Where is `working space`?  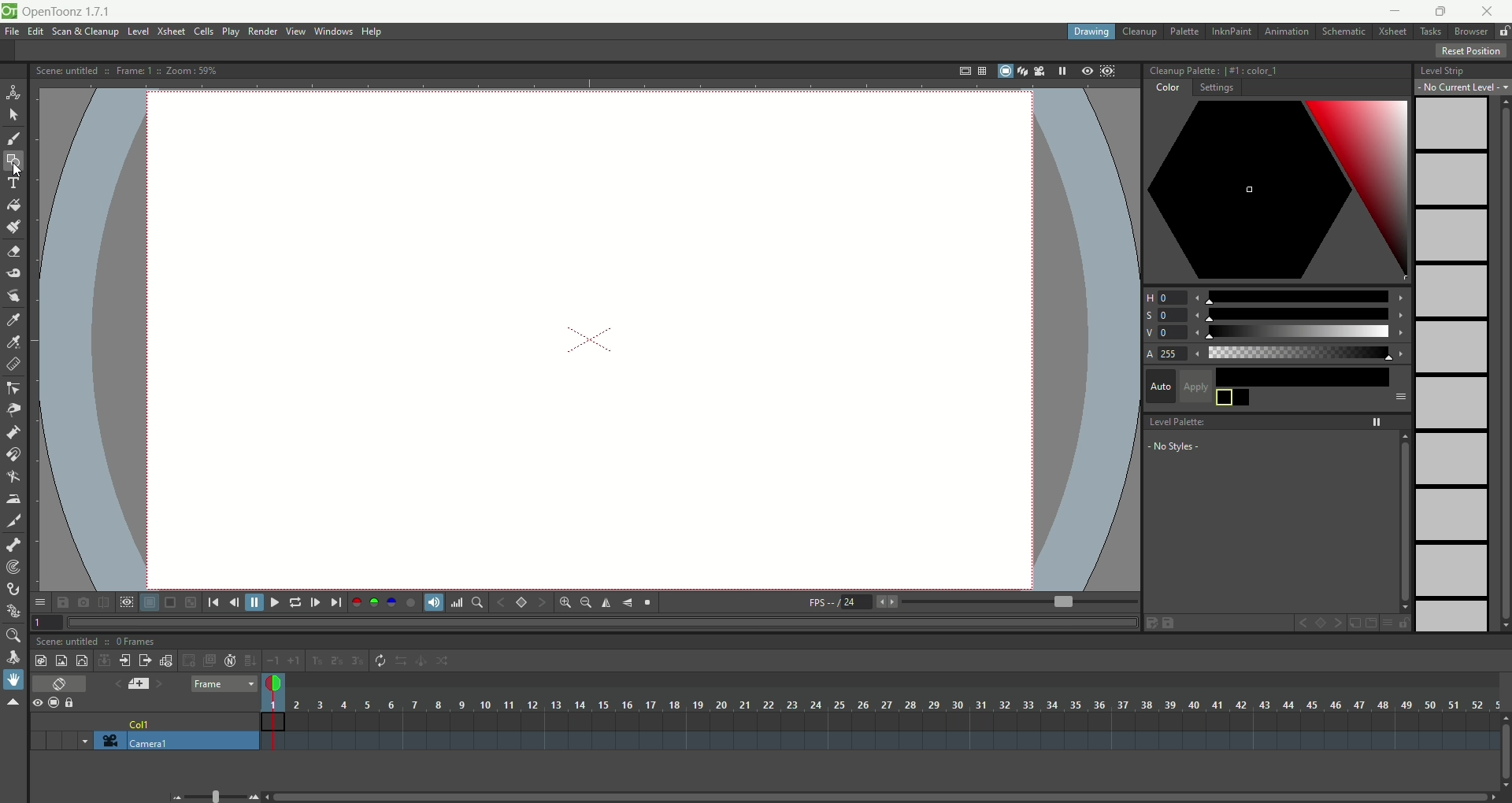
working space is located at coordinates (589, 342).